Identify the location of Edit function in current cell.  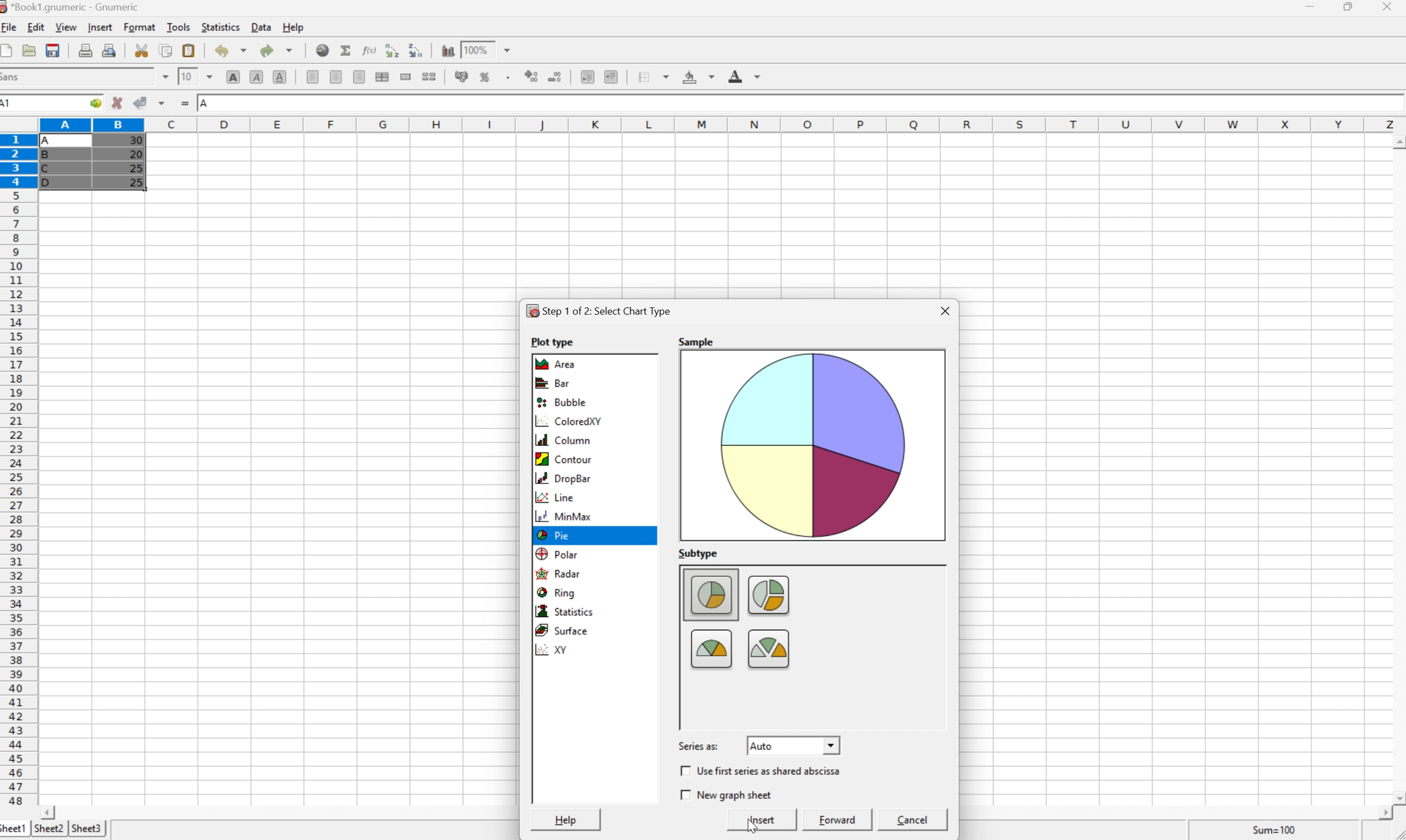
(371, 49).